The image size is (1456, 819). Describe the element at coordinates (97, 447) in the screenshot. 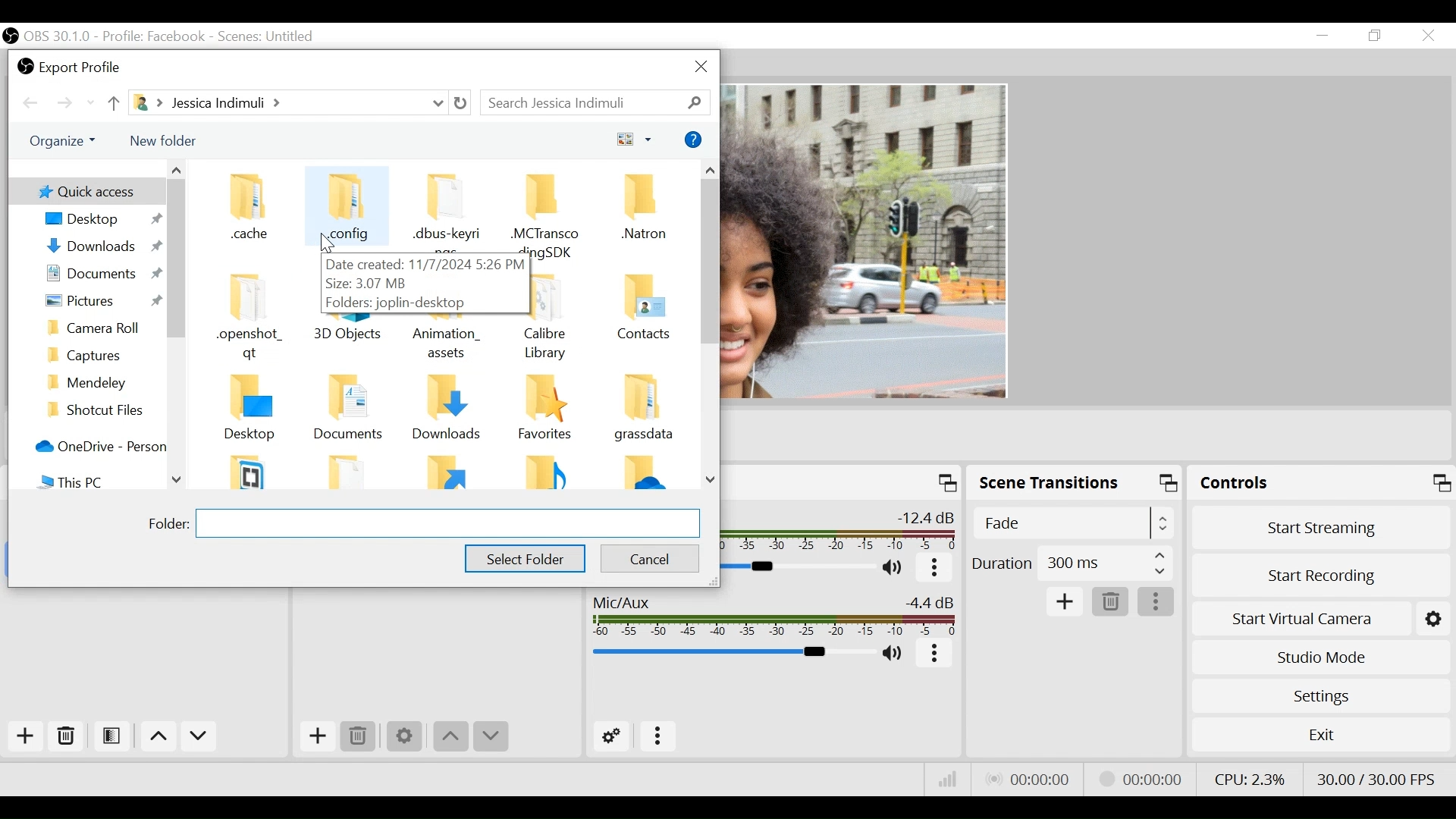

I see `OneDrive` at that location.